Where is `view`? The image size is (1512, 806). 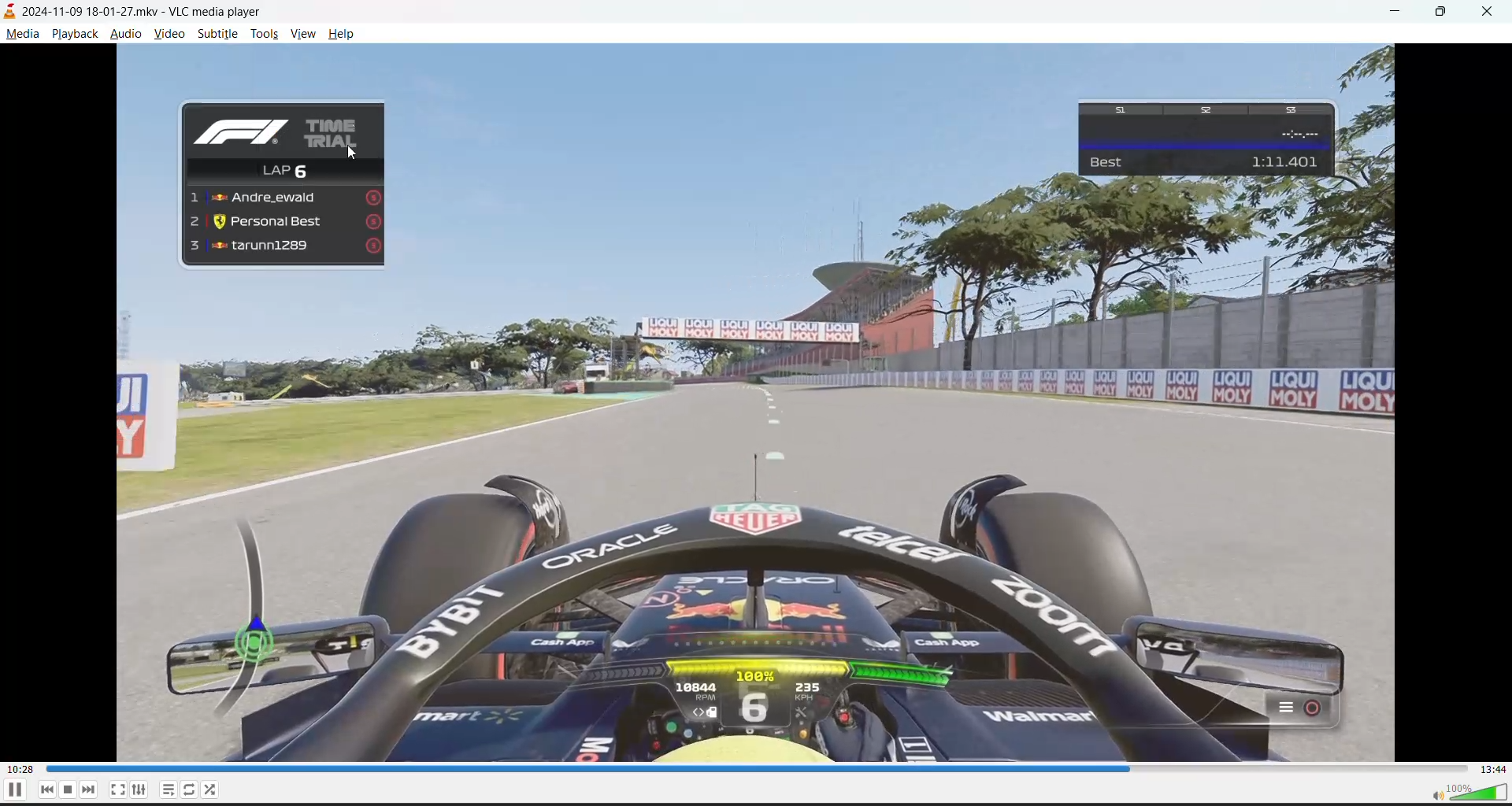 view is located at coordinates (302, 35).